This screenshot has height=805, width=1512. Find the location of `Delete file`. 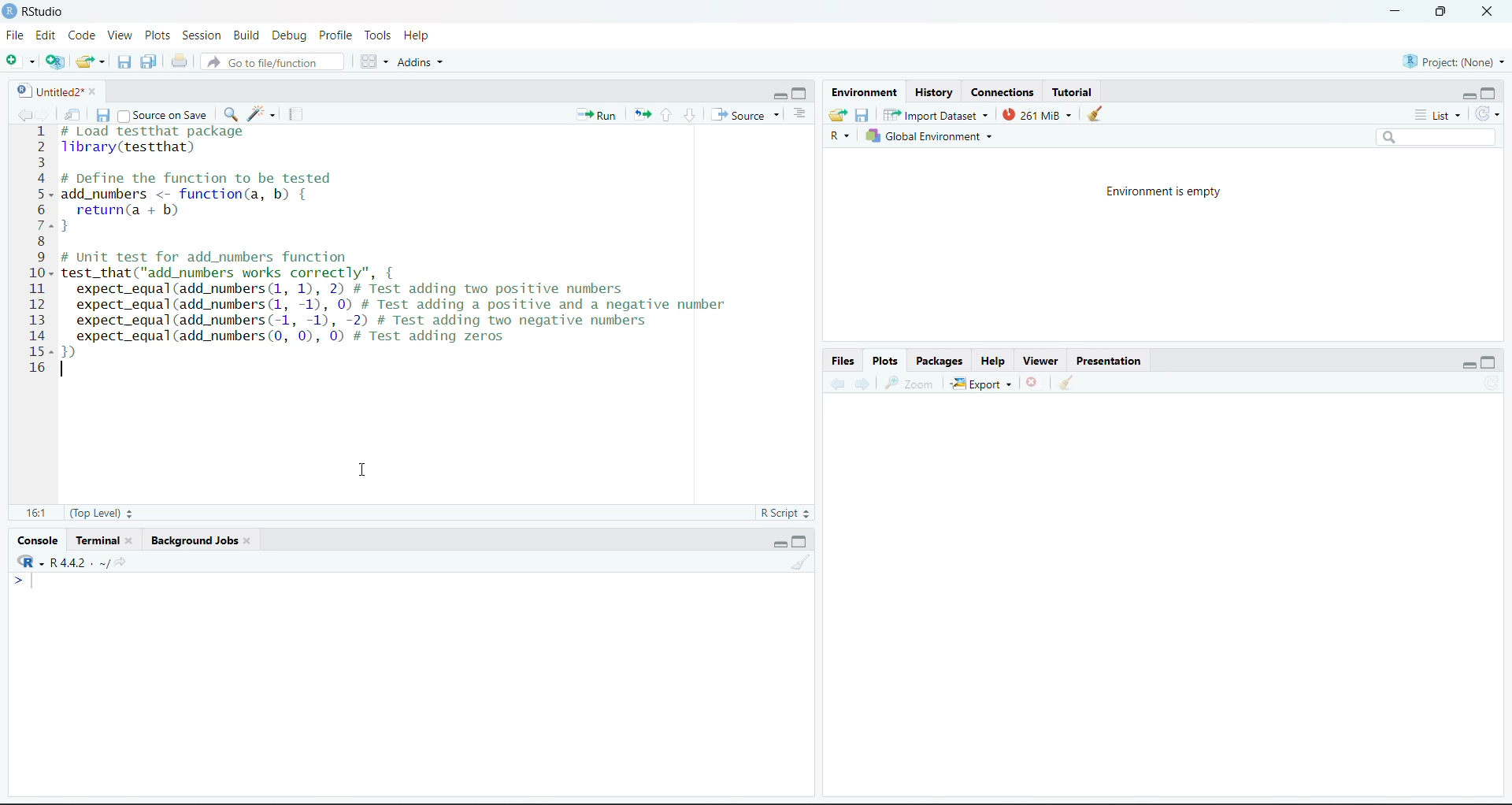

Delete file is located at coordinates (1035, 383).